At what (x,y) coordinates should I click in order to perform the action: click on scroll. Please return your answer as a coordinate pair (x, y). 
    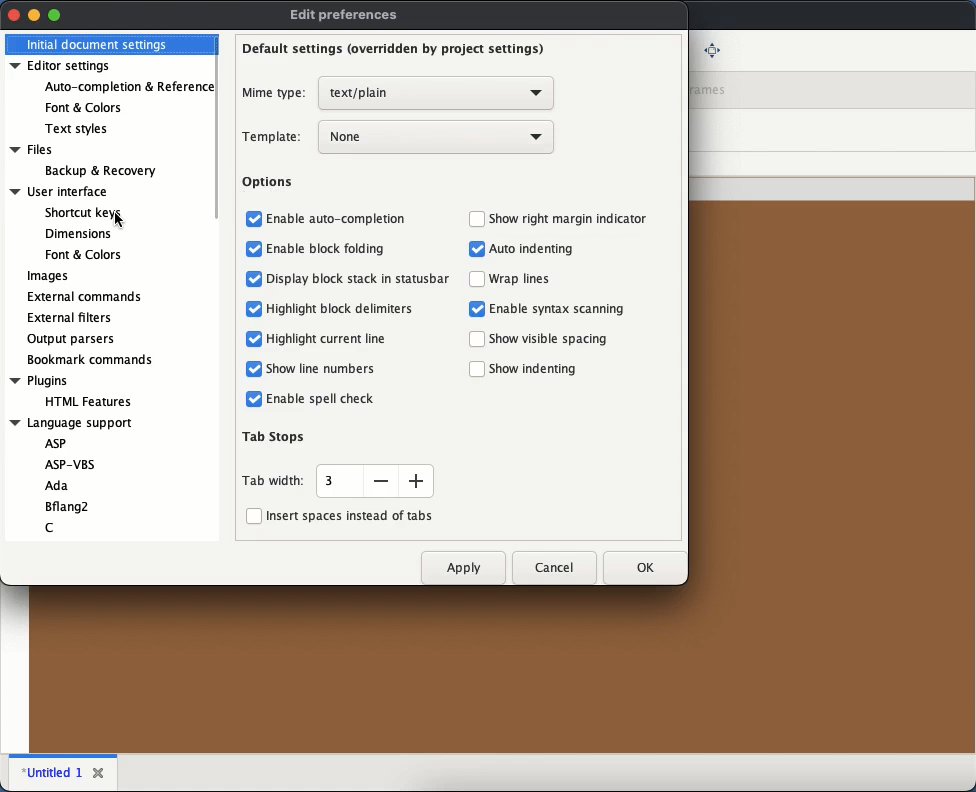
    Looking at the image, I should click on (220, 127).